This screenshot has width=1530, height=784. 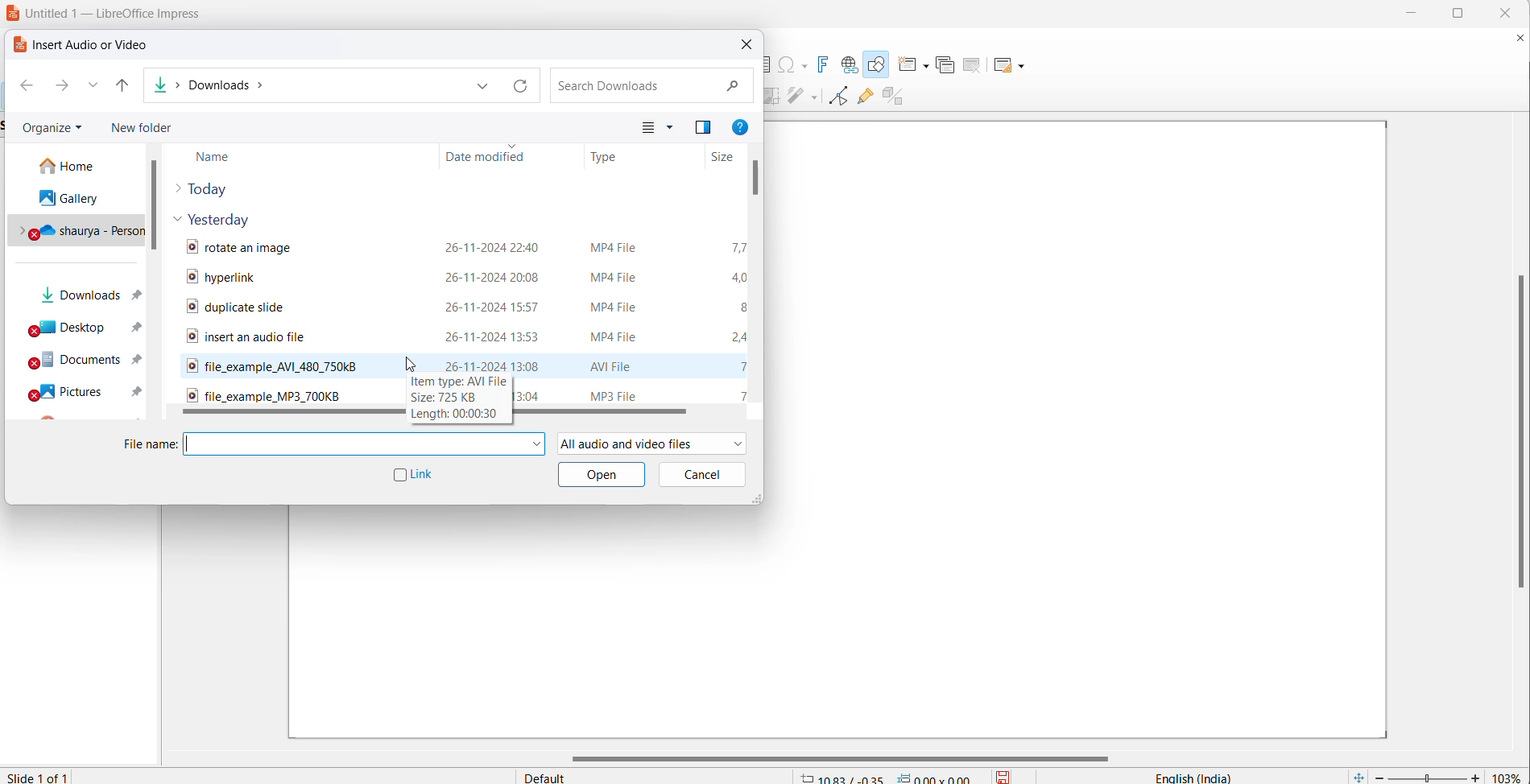 What do you see at coordinates (1021, 65) in the screenshot?
I see `Slide layout options` at bounding box center [1021, 65].